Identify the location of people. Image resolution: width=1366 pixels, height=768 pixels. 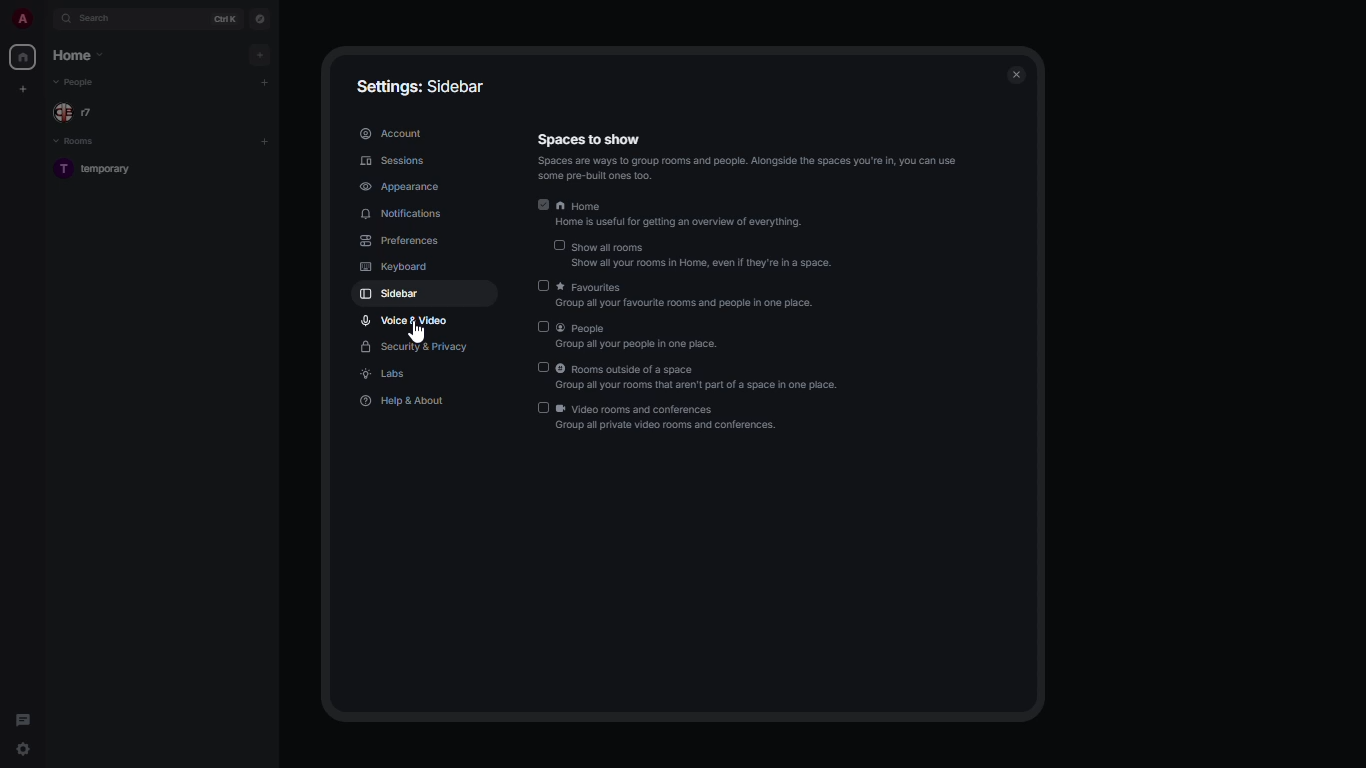
(80, 113).